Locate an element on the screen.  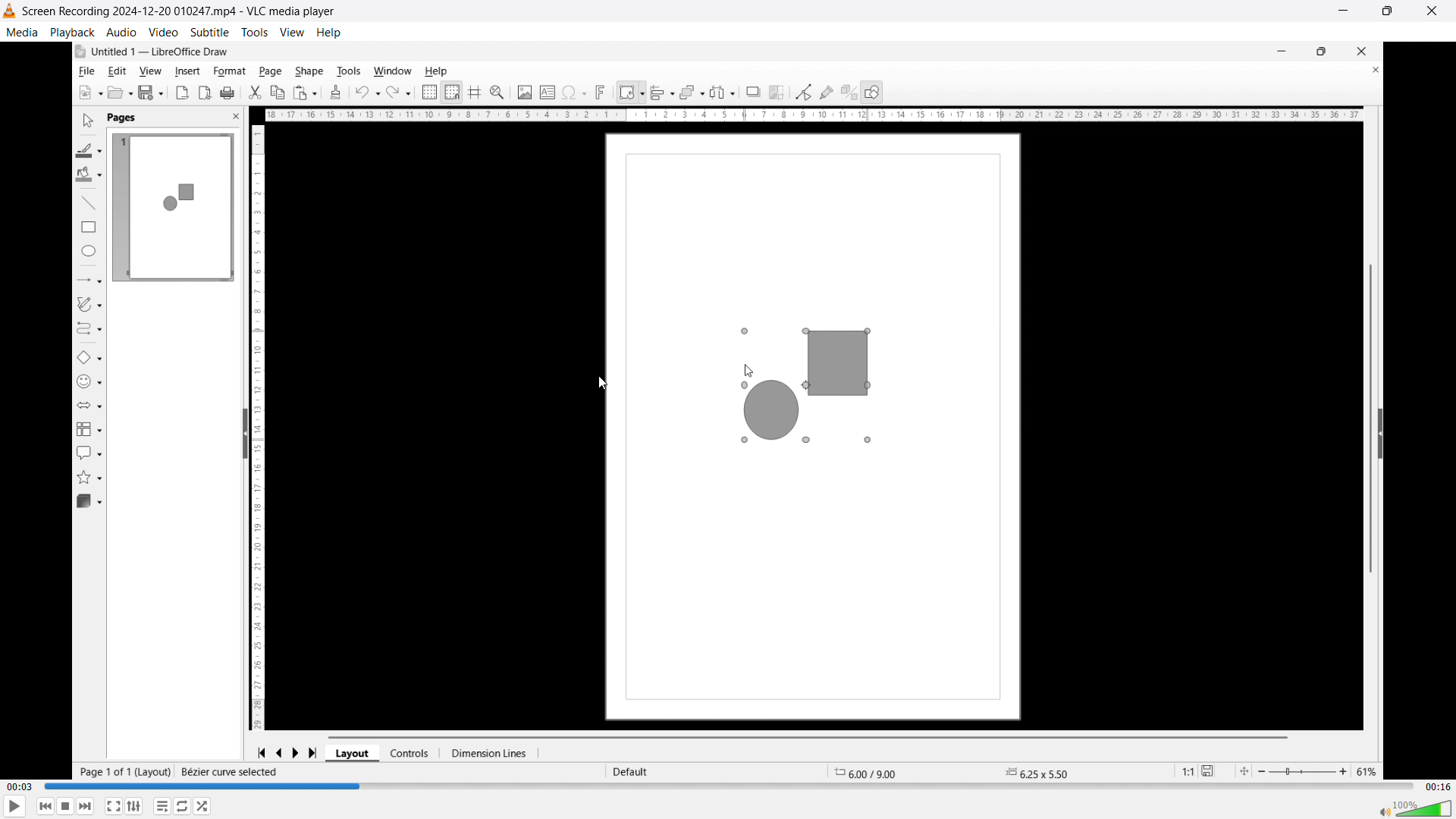
Show extended settings is located at coordinates (133, 807).